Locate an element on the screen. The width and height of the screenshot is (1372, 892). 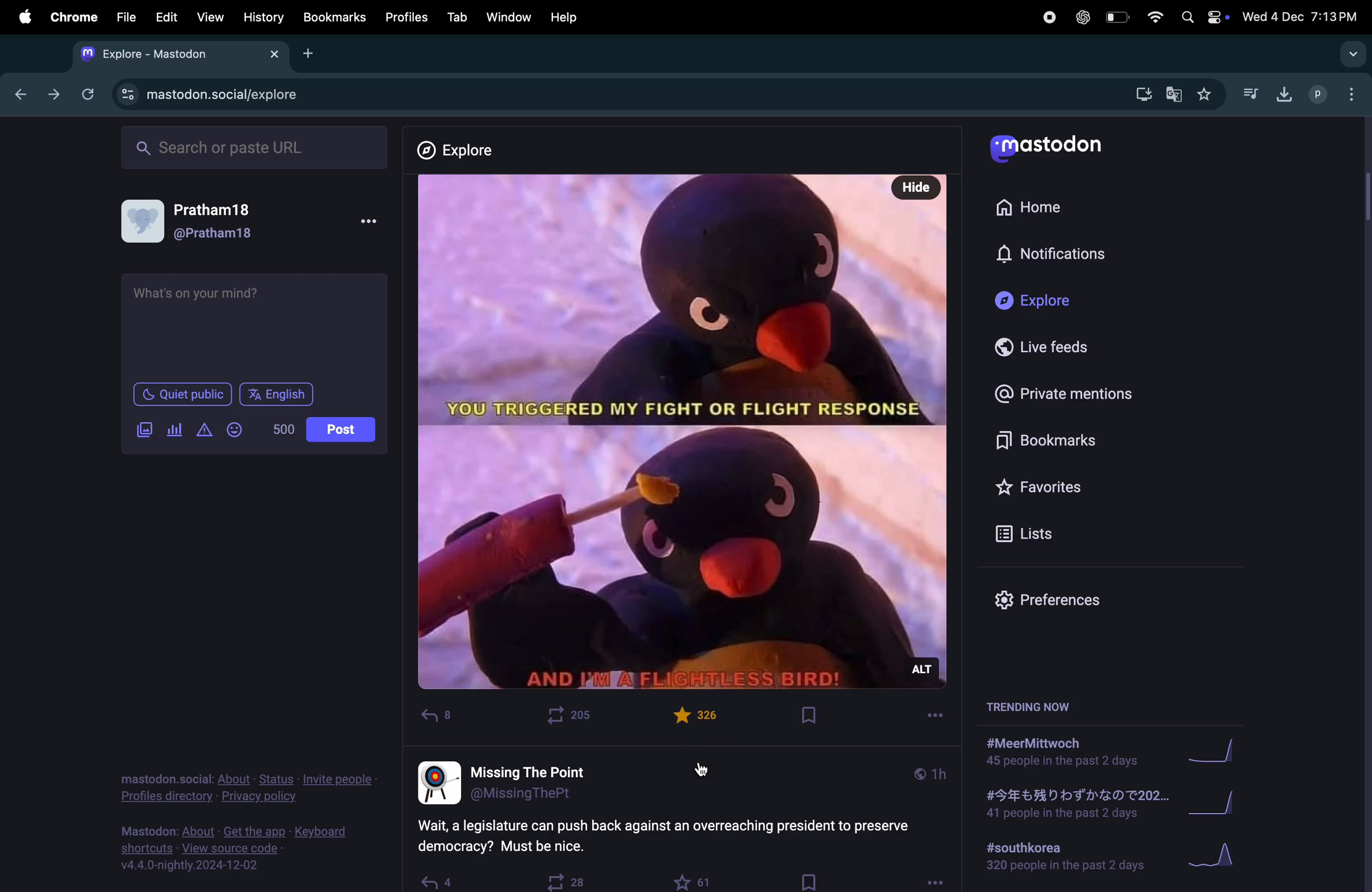
user profle is located at coordinates (1334, 96).